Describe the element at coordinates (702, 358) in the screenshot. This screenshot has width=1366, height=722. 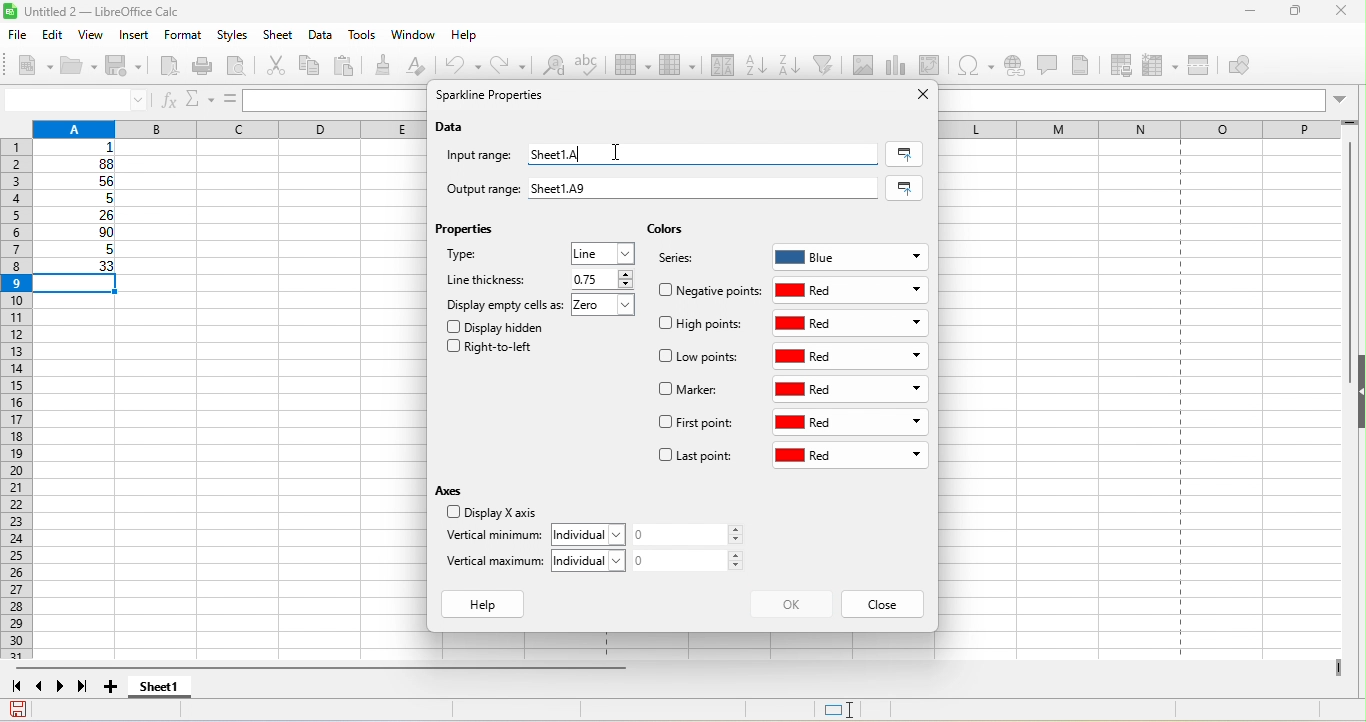
I see `low points` at that location.